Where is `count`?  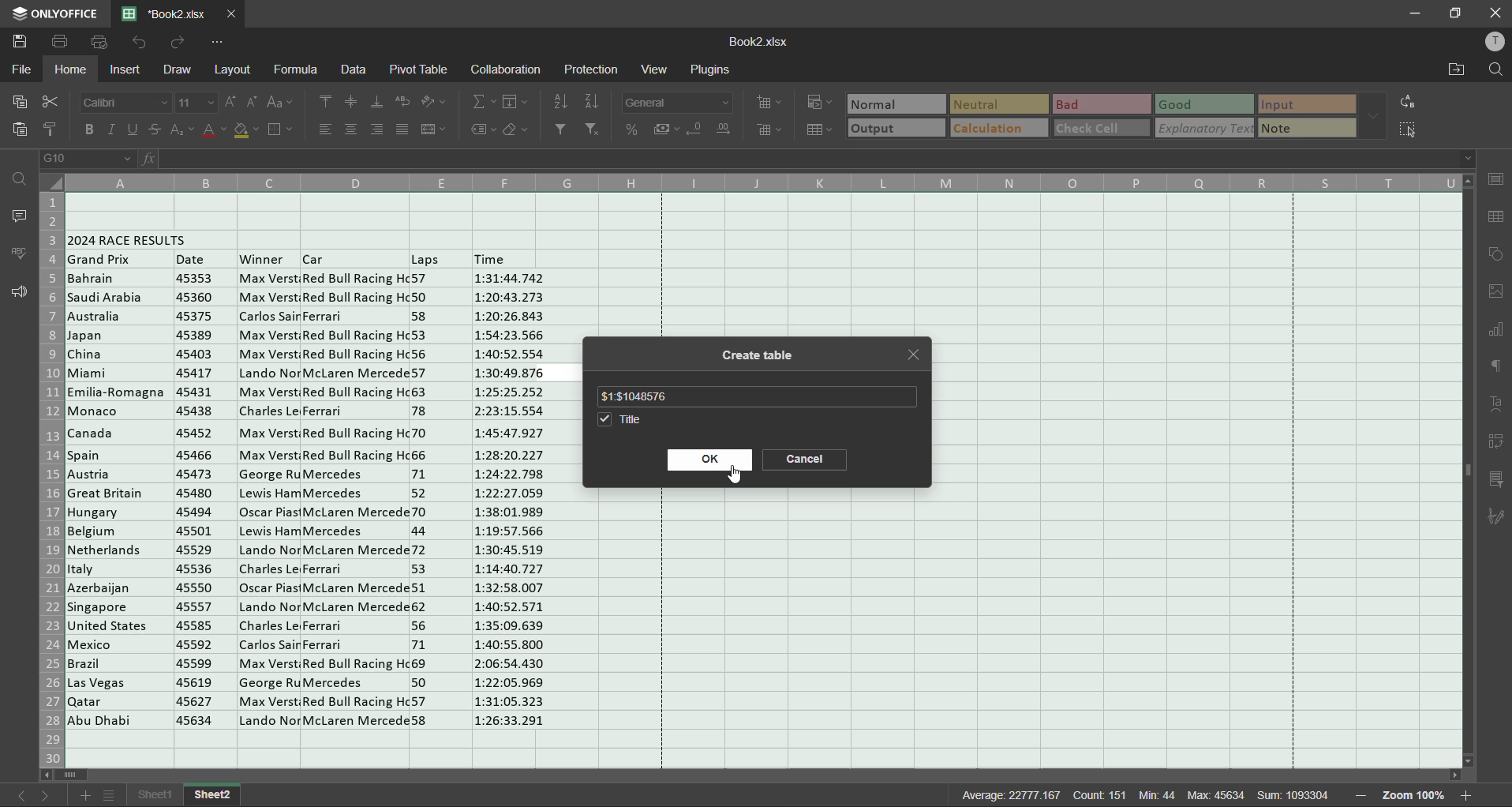
count is located at coordinates (1102, 794).